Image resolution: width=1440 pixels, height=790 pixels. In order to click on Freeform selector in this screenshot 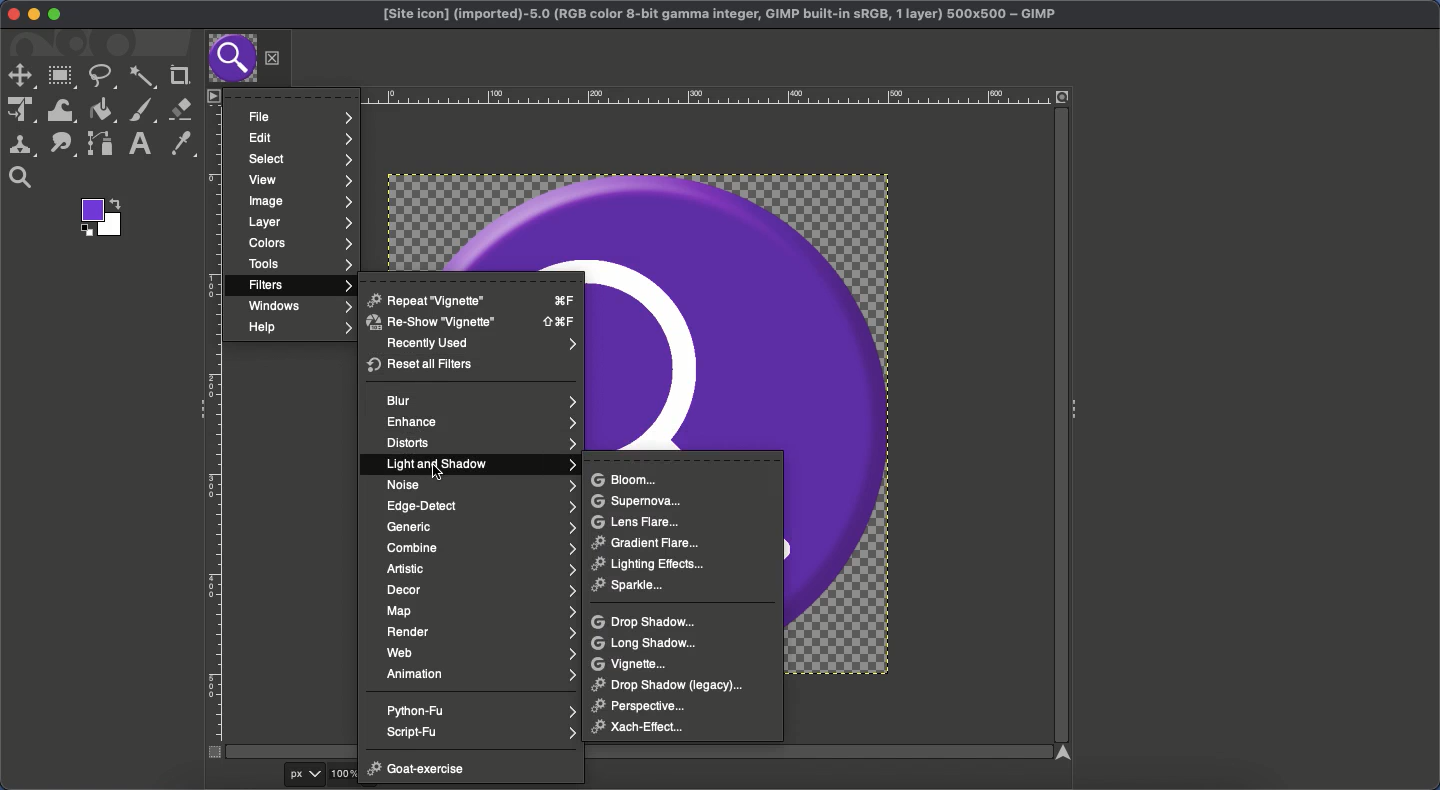, I will do `click(101, 76)`.